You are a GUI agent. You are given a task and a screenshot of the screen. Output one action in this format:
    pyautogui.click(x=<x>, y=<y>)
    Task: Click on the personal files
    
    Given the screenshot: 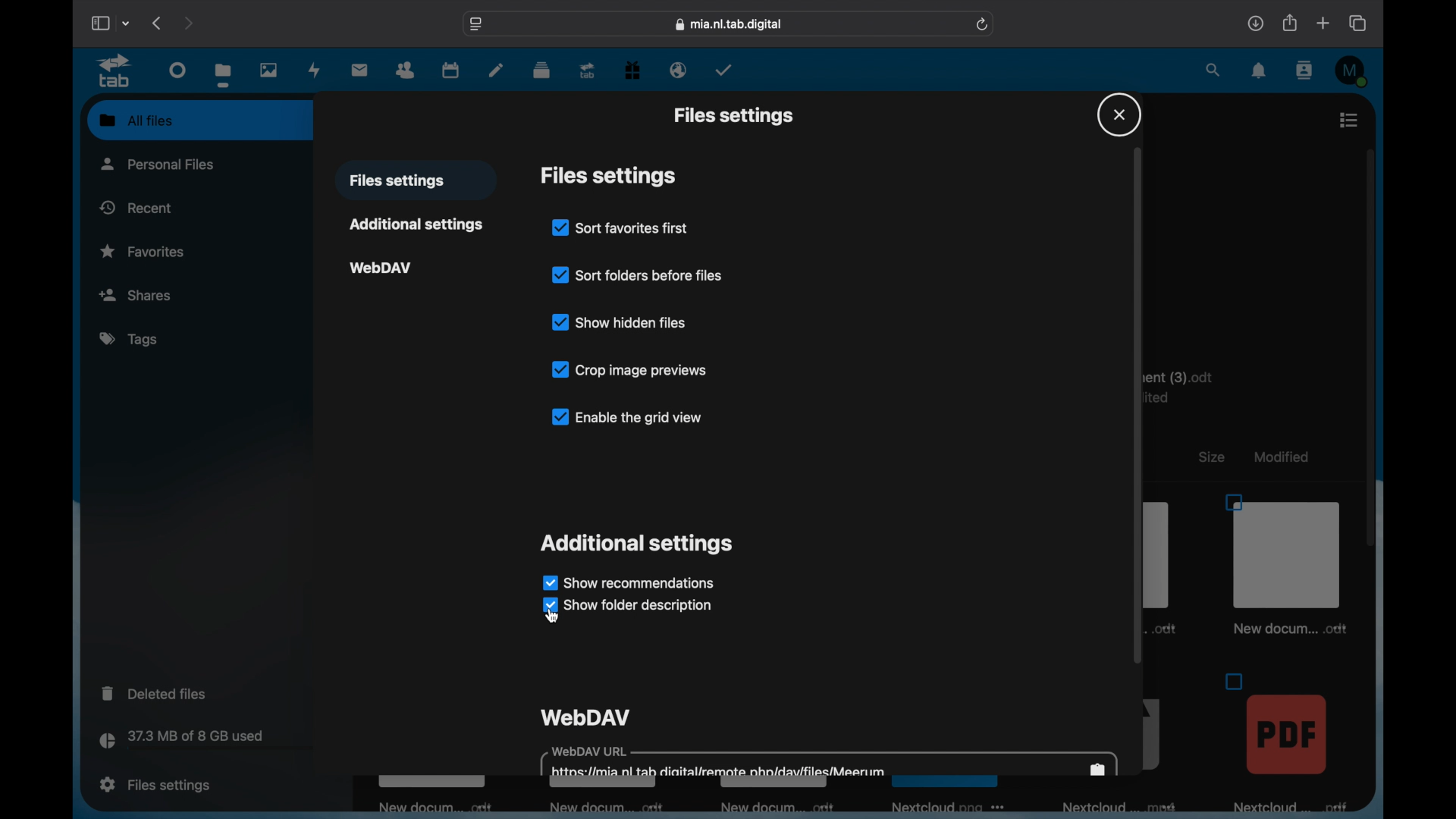 What is the action you would take?
    pyautogui.click(x=158, y=164)
    